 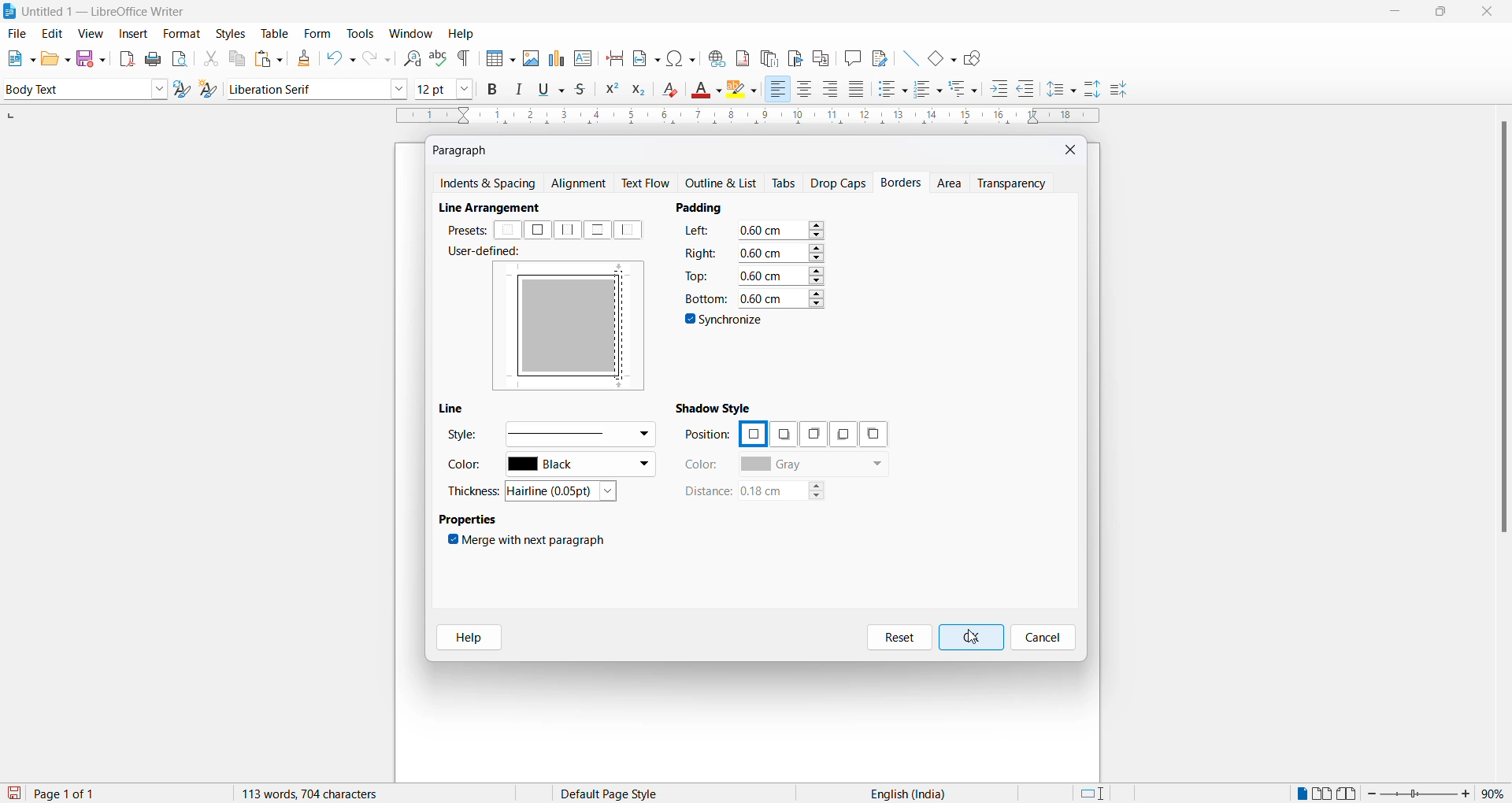 What do you see at coordinates (632, 230) in the screenshot?
I see `left` at bounding box center [632, 230].